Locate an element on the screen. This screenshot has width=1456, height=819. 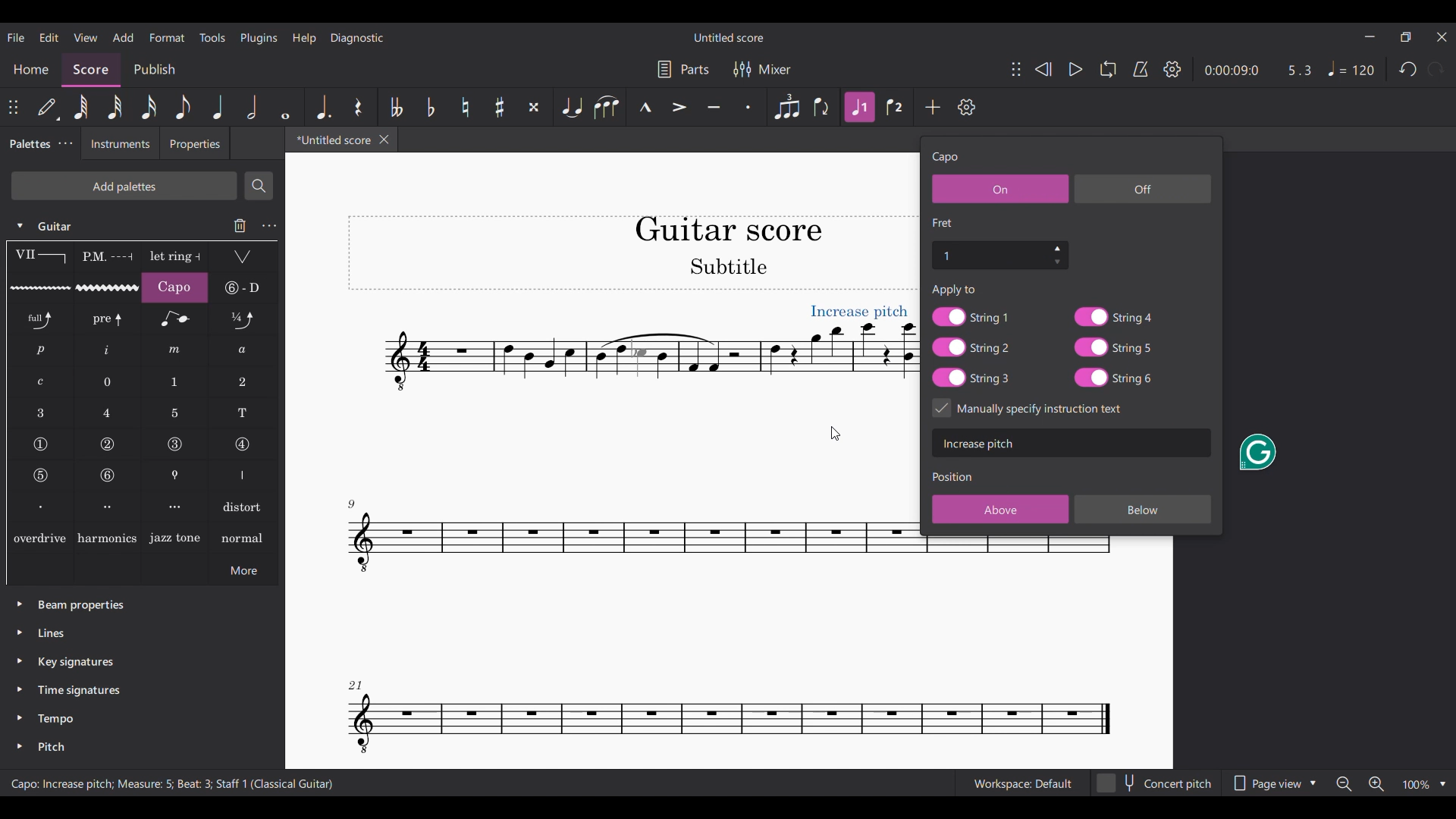
Time signatures palette is located at coordinates (79, 690).